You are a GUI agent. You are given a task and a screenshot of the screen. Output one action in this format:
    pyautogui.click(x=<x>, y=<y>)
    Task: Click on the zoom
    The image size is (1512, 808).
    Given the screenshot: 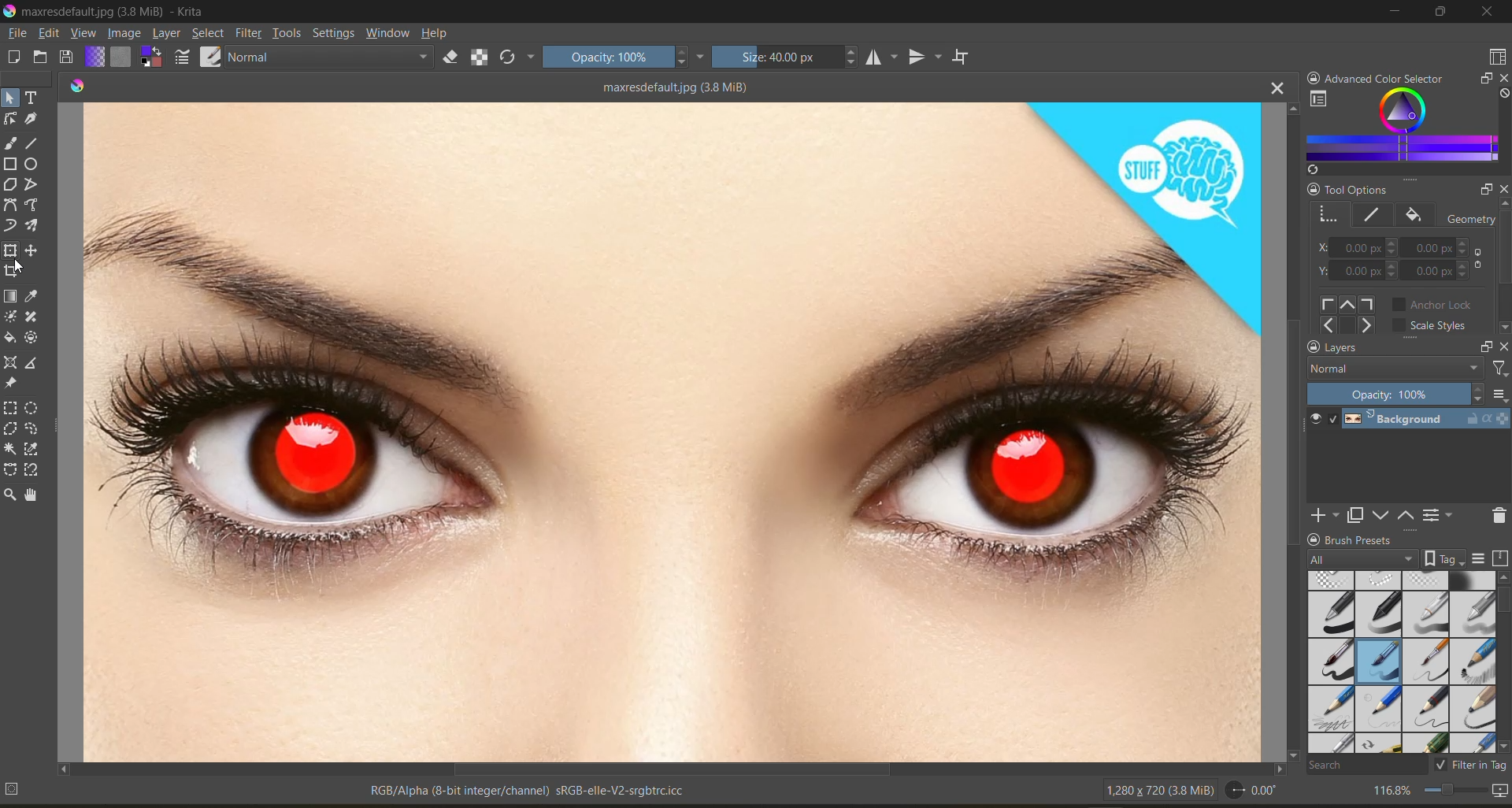 What is the action you would take?
    pyautogui.click(x=1454, y=789)
    